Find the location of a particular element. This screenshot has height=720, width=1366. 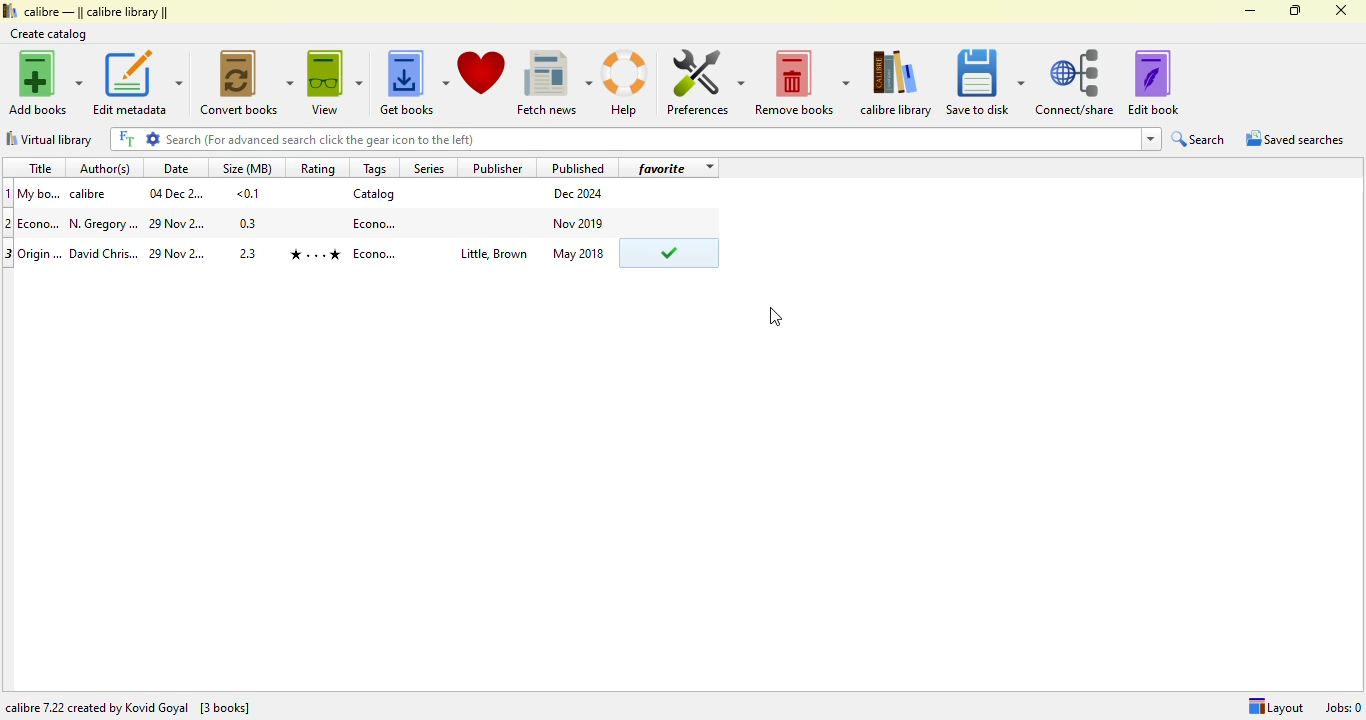

dropdown is located at coordinates (708, 168).